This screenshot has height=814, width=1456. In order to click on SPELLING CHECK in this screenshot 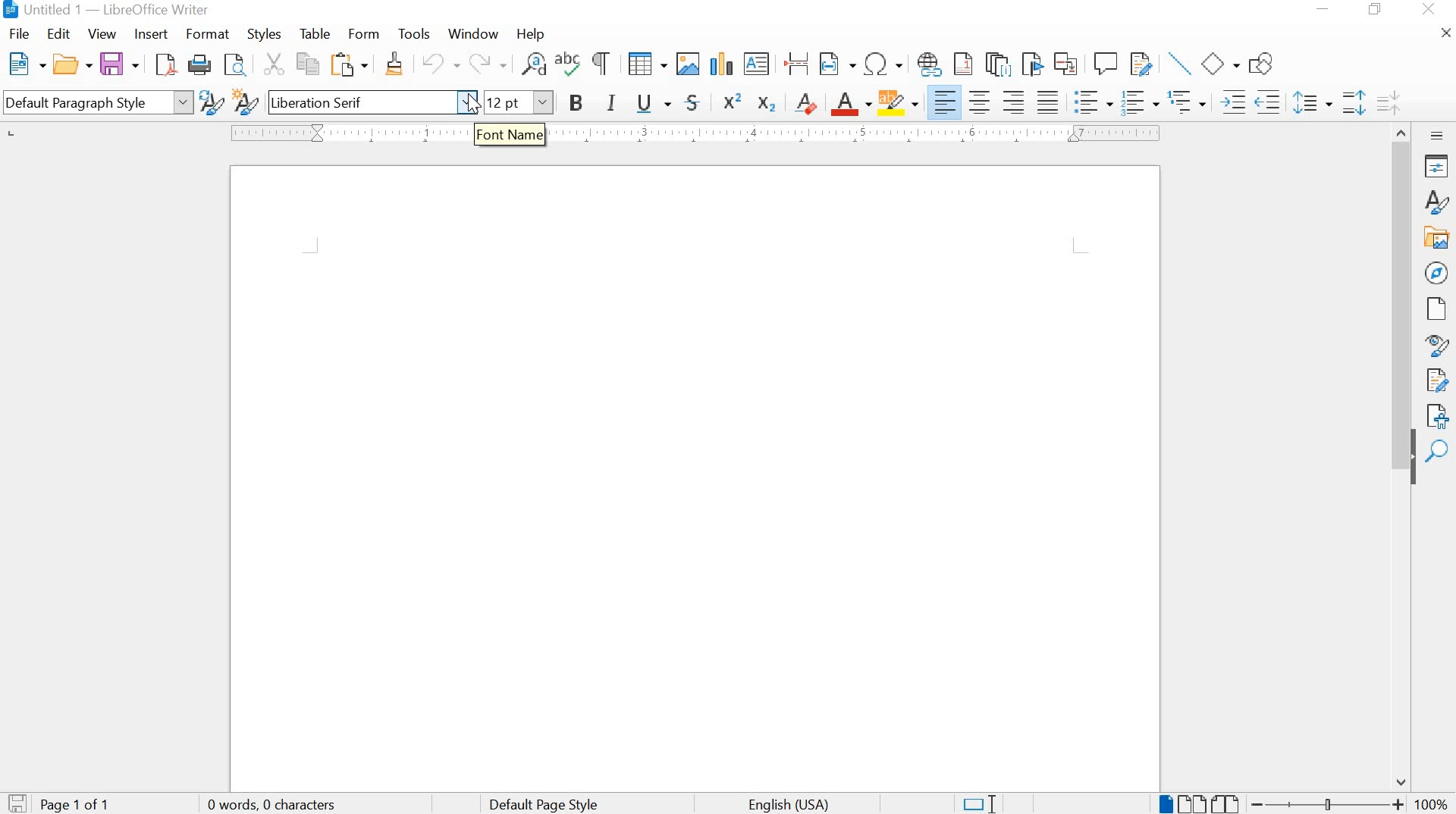, I will do `click(569, 64)`.